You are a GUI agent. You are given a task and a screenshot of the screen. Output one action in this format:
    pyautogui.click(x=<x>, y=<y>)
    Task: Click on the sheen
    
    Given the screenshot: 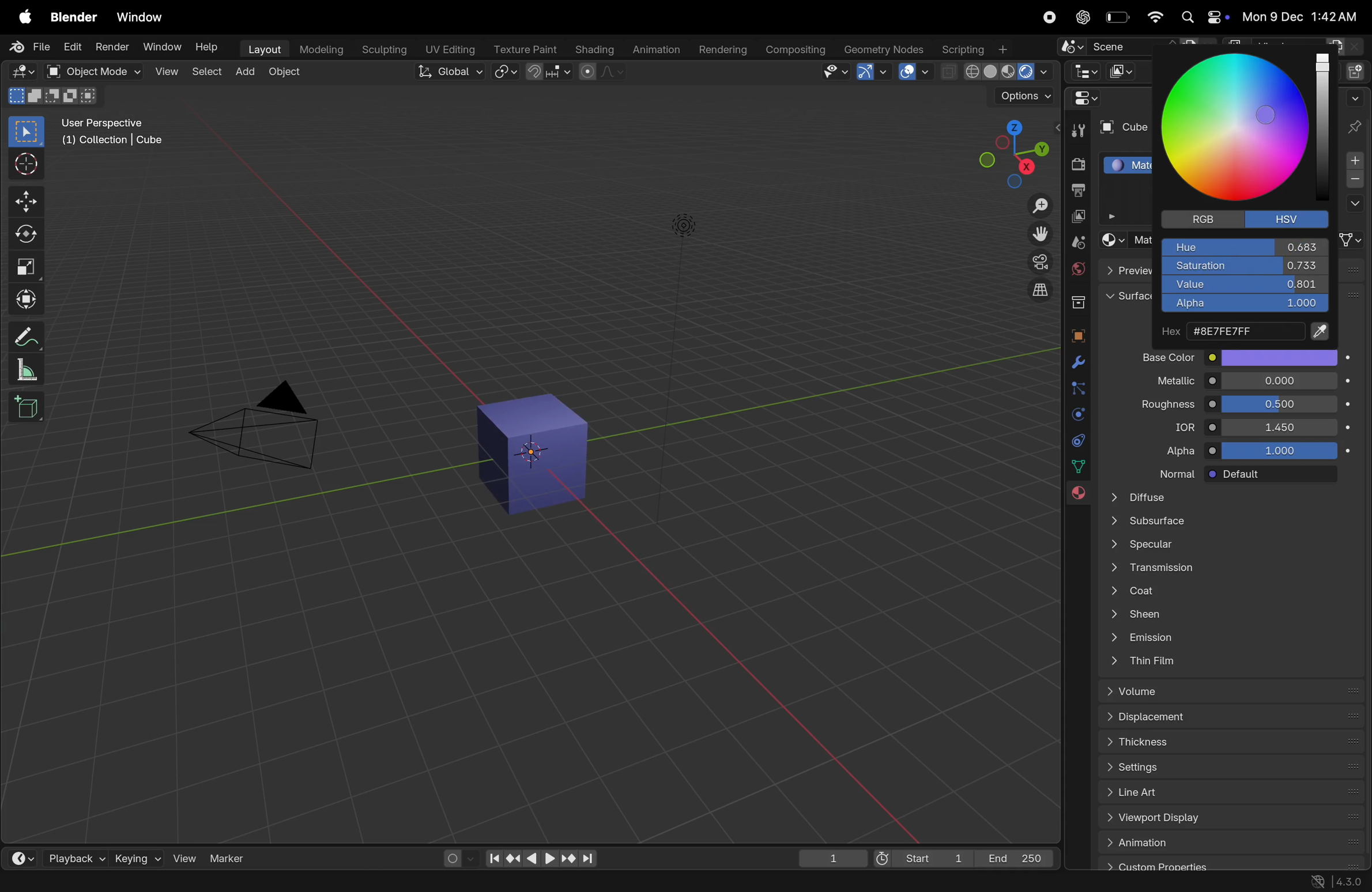 What is the action you would take?
    pyautogui.click(x=1224, y=617)
    